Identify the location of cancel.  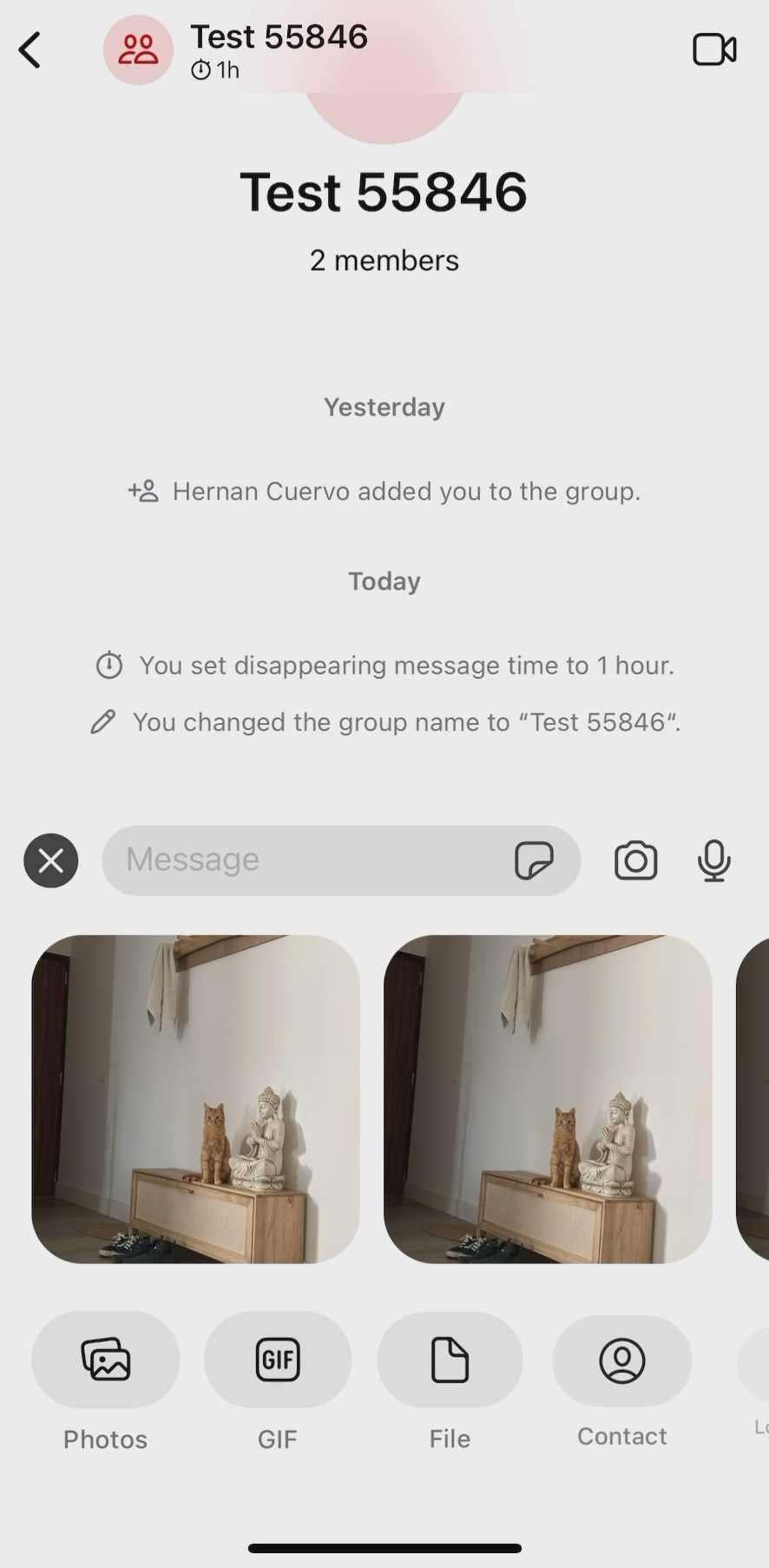
(52, 869).